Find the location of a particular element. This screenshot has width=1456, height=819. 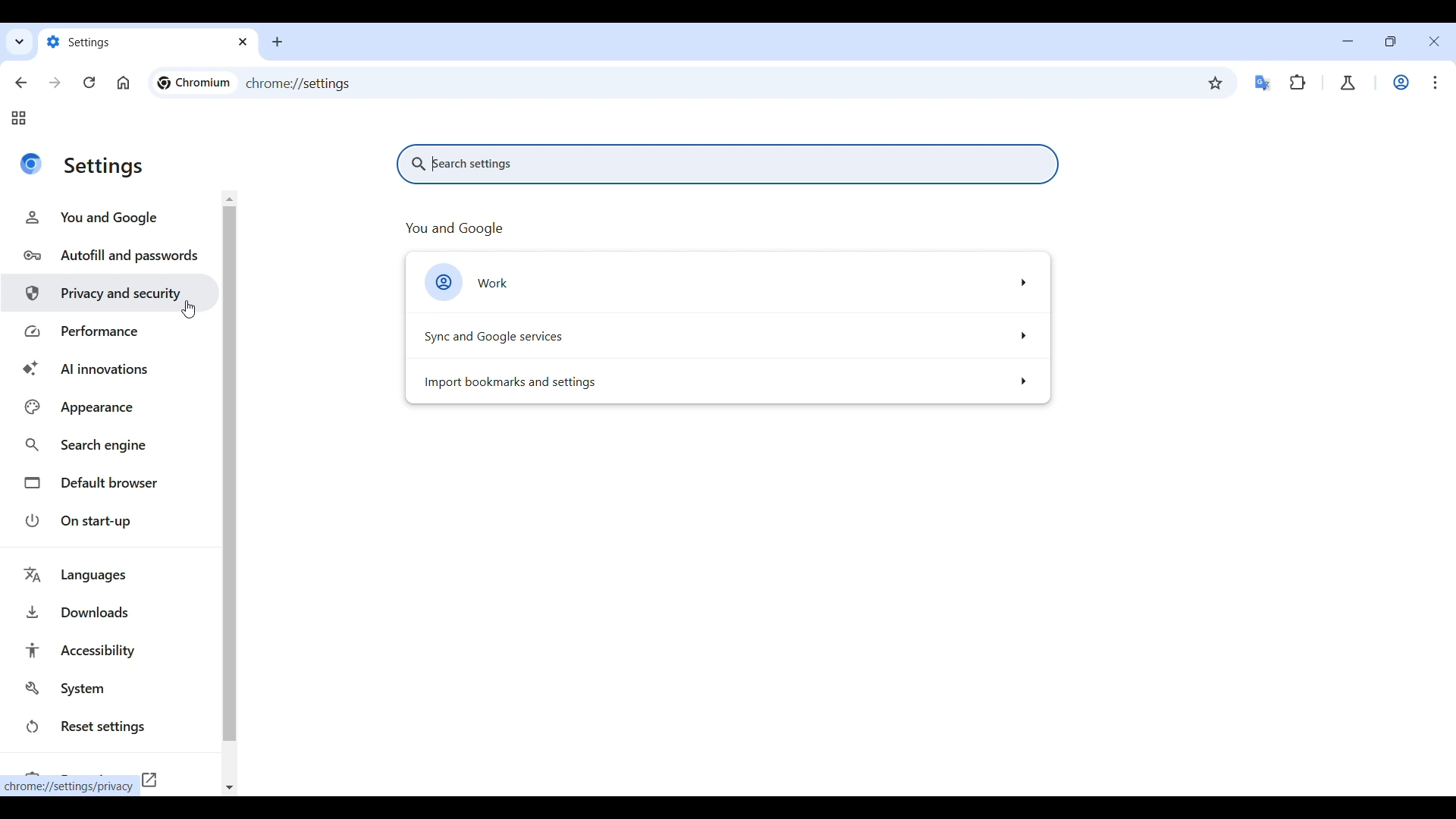

chrome://settings/privacy is located at coordinates (71, 786).